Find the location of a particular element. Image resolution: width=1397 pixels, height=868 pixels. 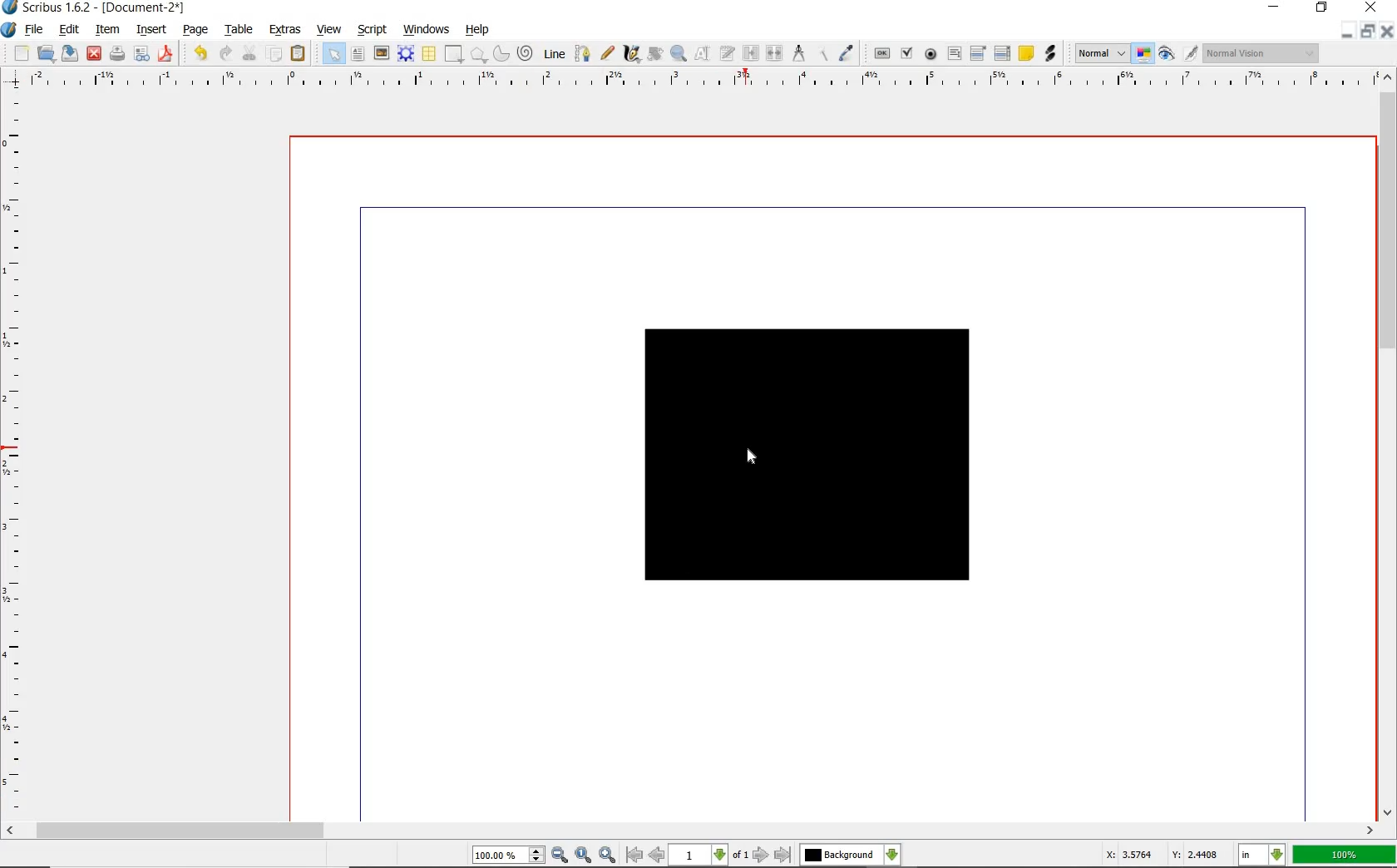

go to previous page is located at coordinates (657, 856).